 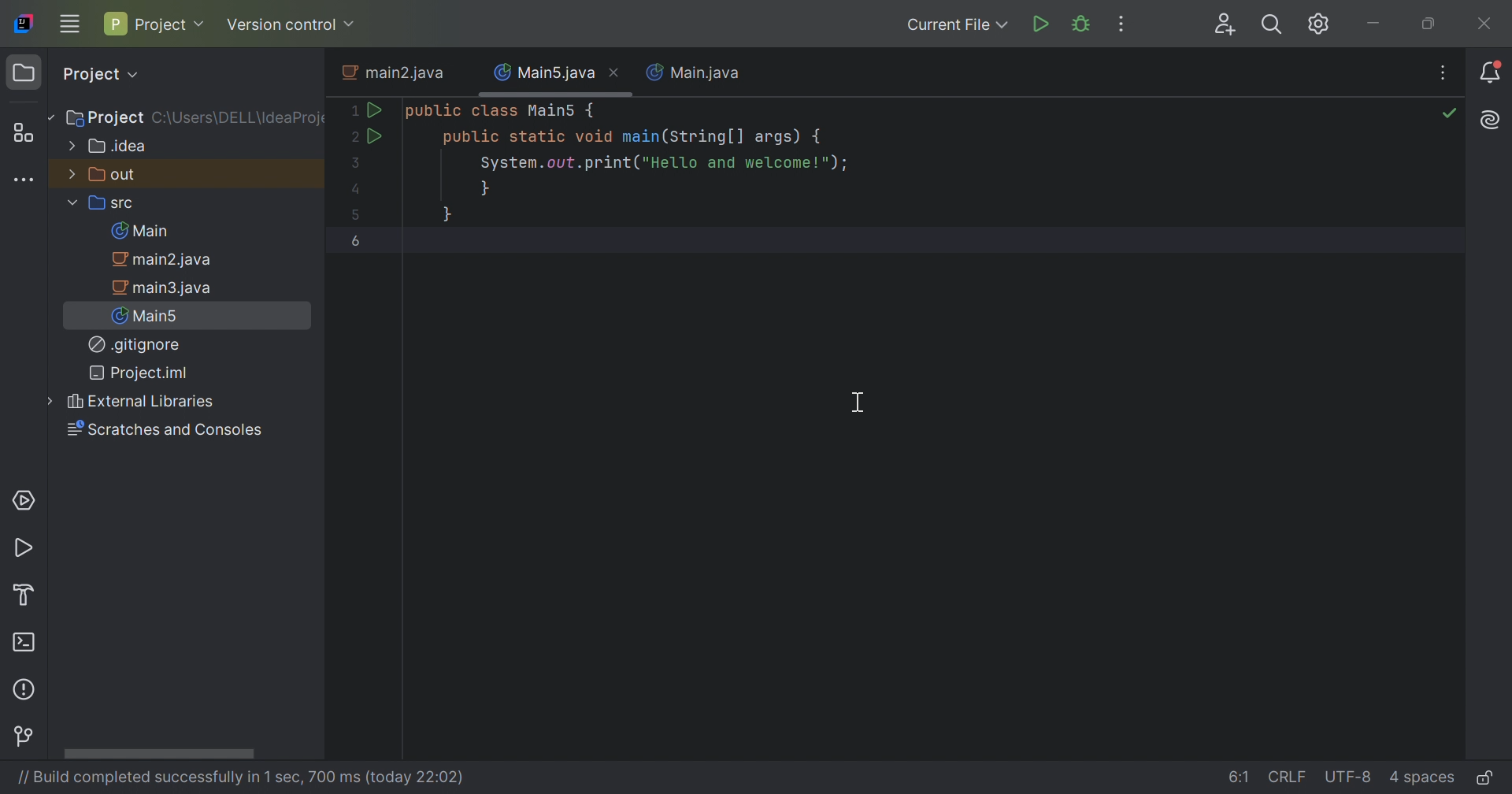 I want to click on C:\Users\DELL\IdeaProject, so click(x=239, y=119).